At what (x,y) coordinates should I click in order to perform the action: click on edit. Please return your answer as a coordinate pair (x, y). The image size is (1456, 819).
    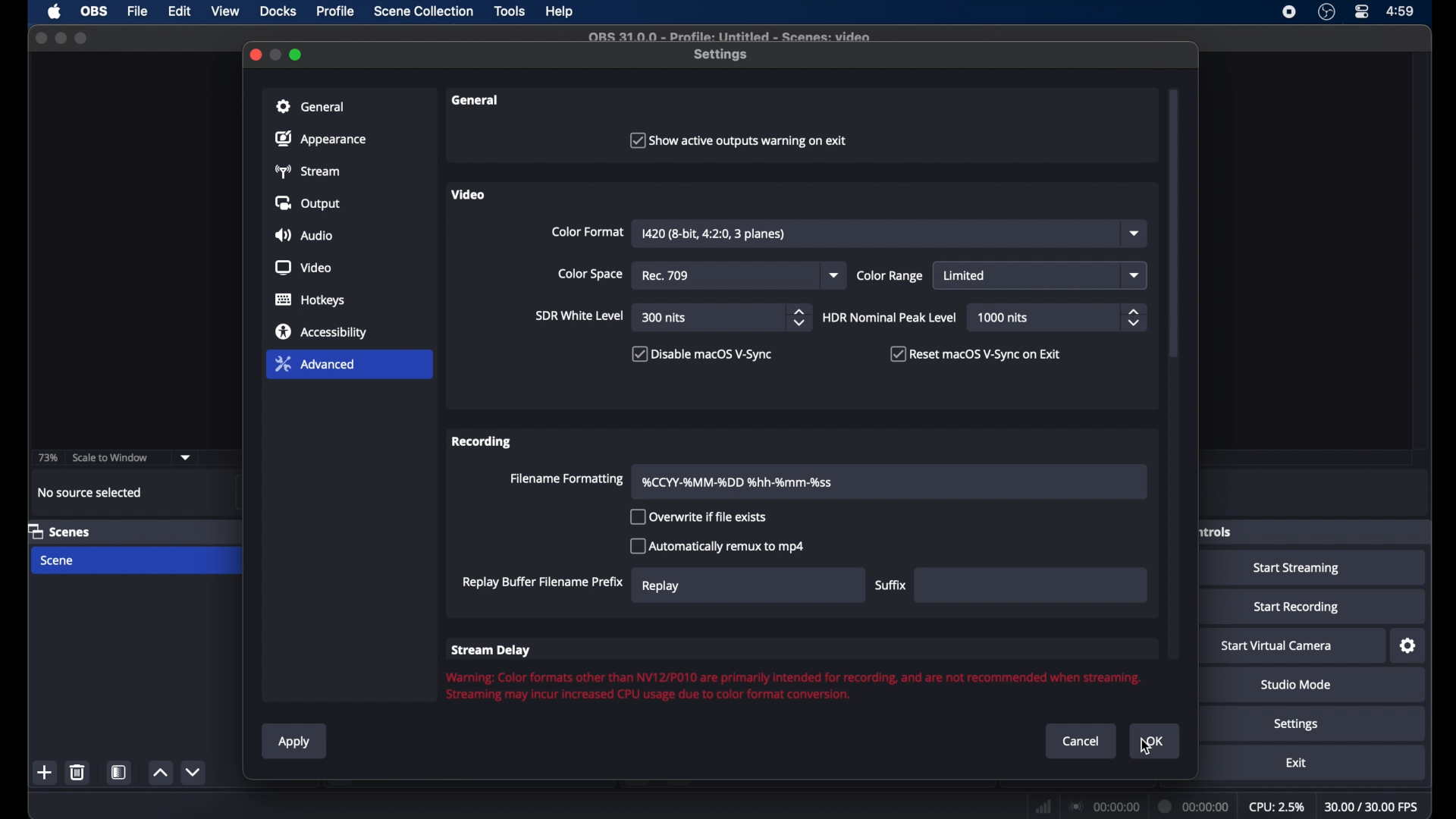
    Looking at the image, I should click on (178, 11).